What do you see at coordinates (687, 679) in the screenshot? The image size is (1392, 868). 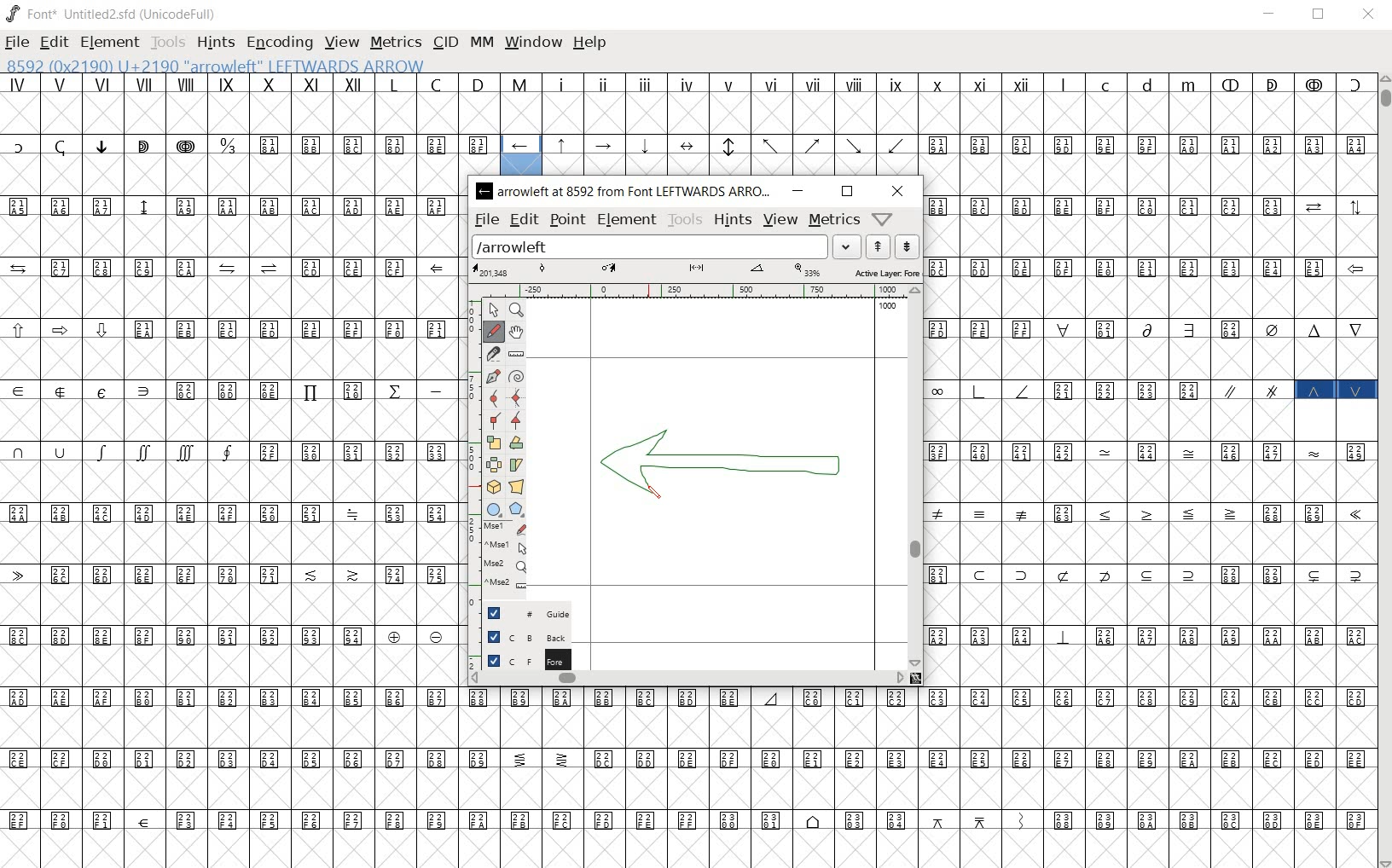 I see `scrollbar` at bounding box center [687, 679].